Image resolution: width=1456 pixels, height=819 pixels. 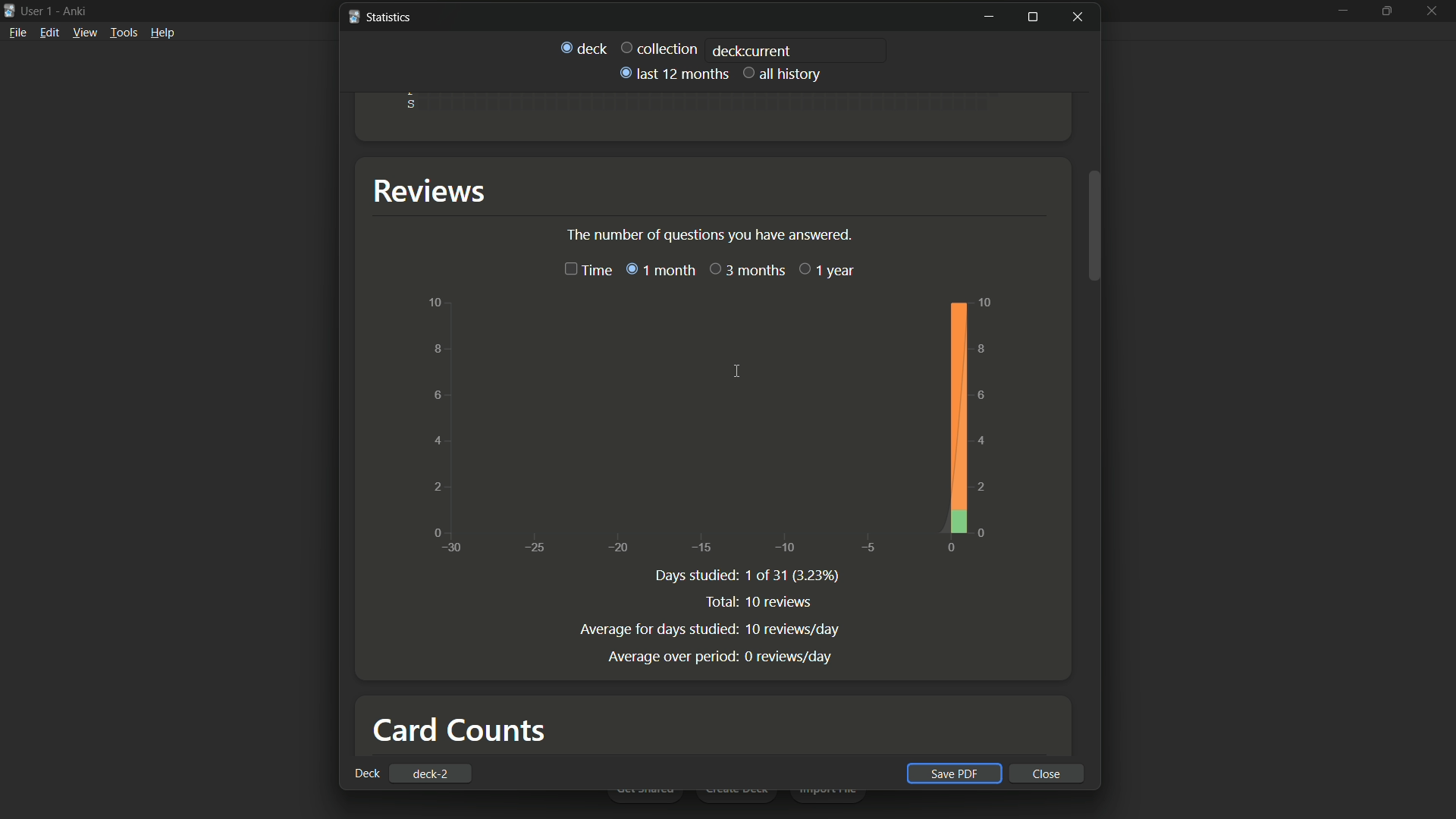 I want to click on View, so click(x=85, y=36).